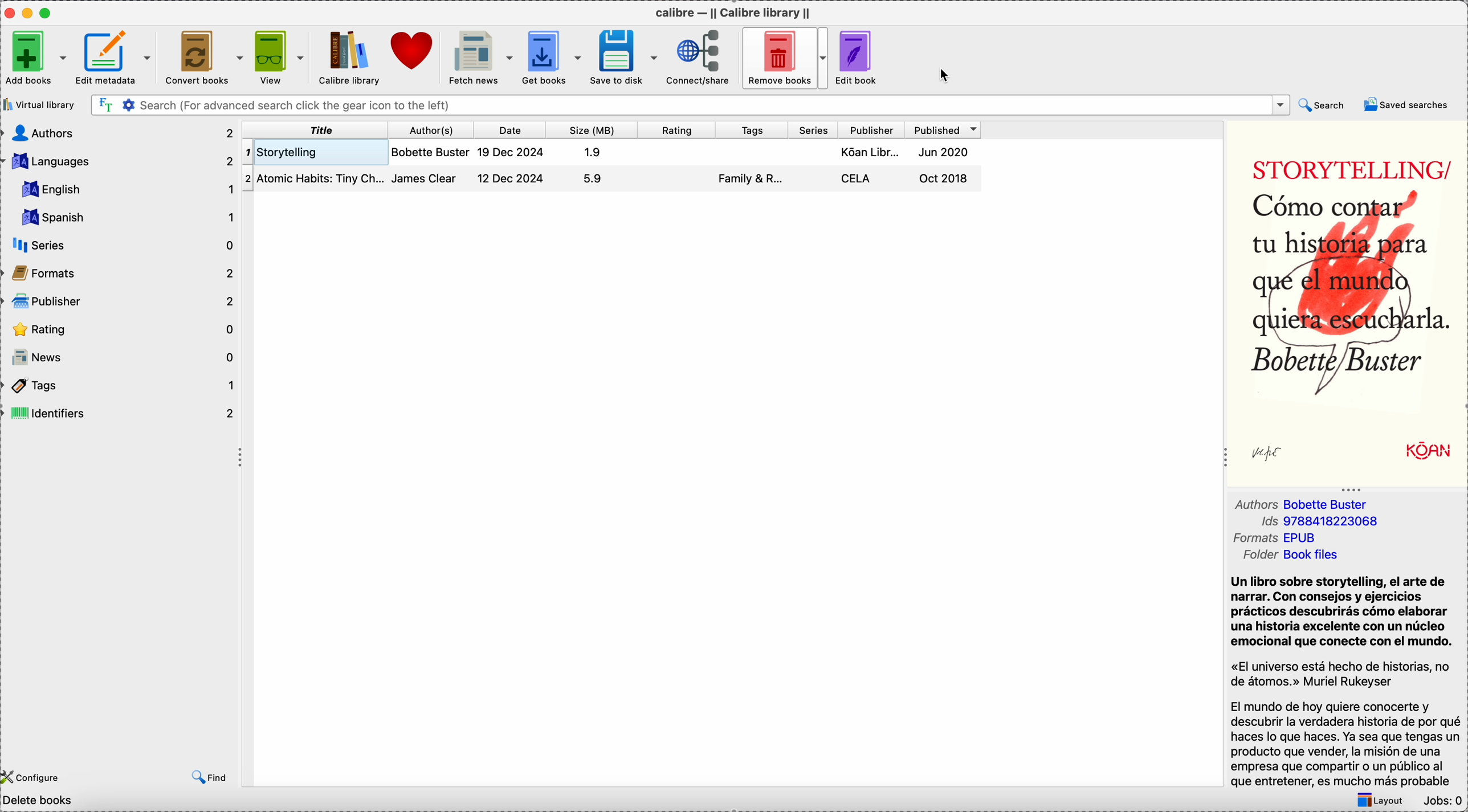 The width and height of the screenshot is (1468, 812). I want to click on author(s), so click(433, 130).